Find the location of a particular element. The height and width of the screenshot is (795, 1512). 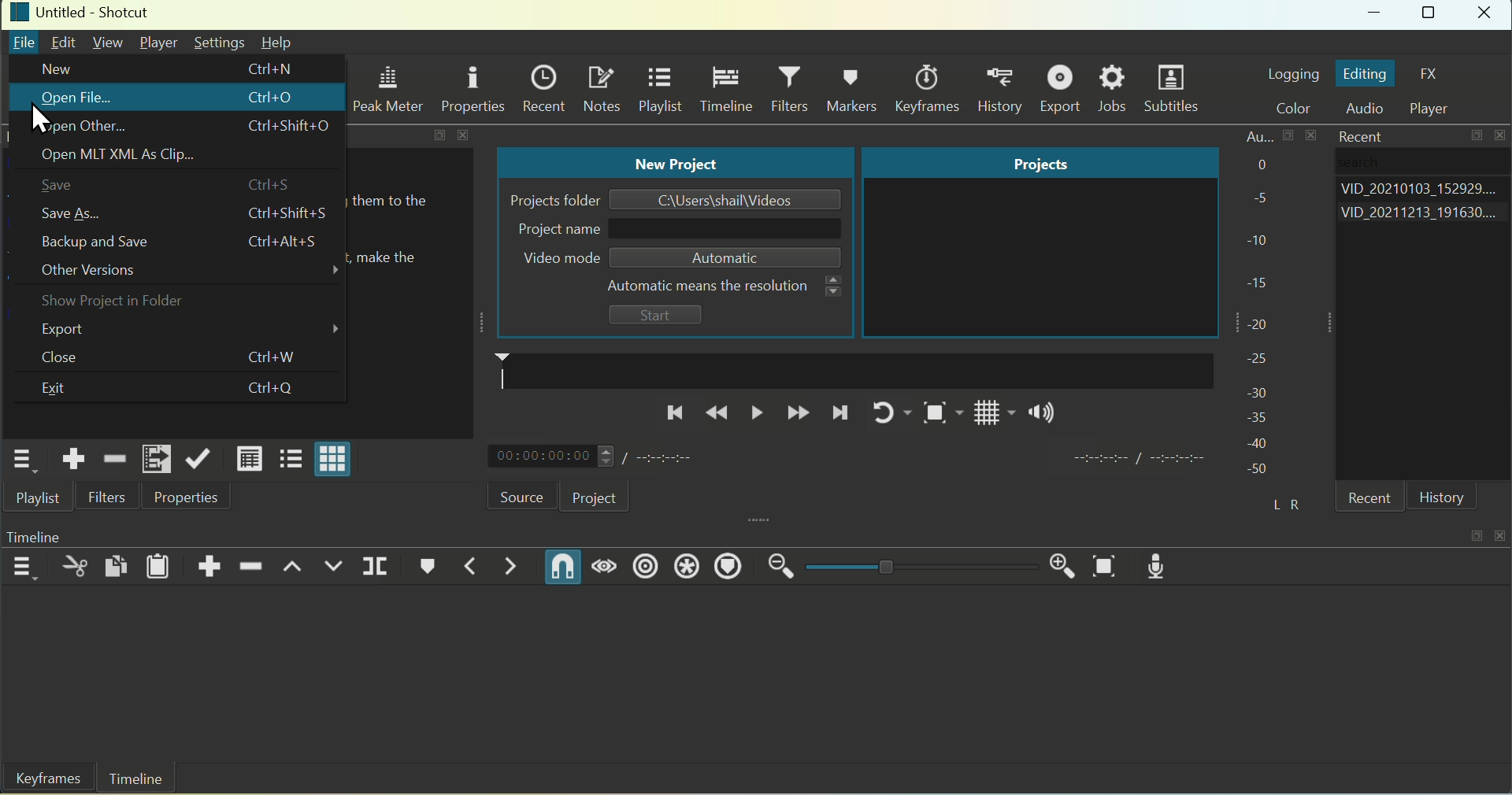

Settings is located at coordinates (219, 43).